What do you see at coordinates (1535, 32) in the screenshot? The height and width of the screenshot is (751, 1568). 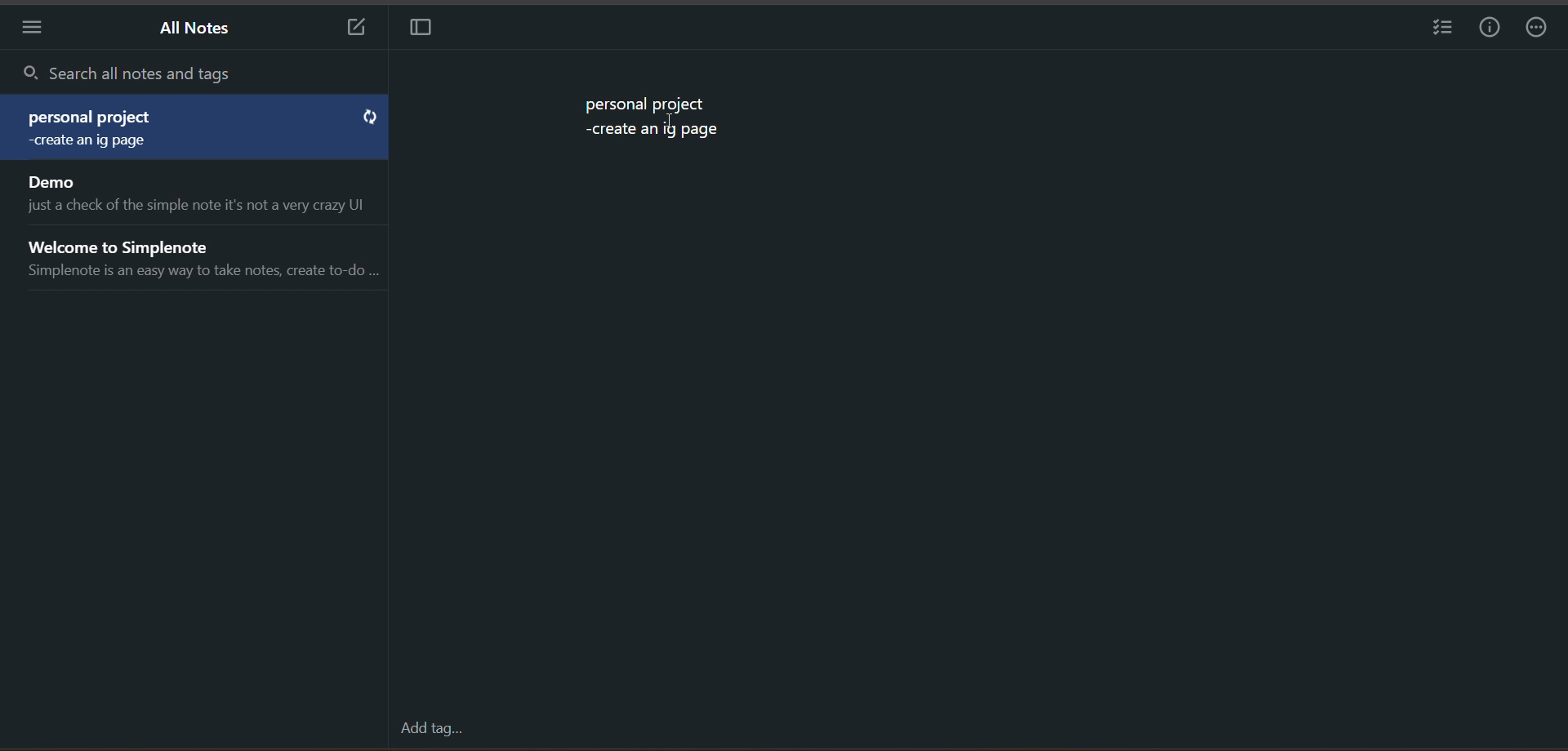 I see `actions` at bounding box center [1535, 32].